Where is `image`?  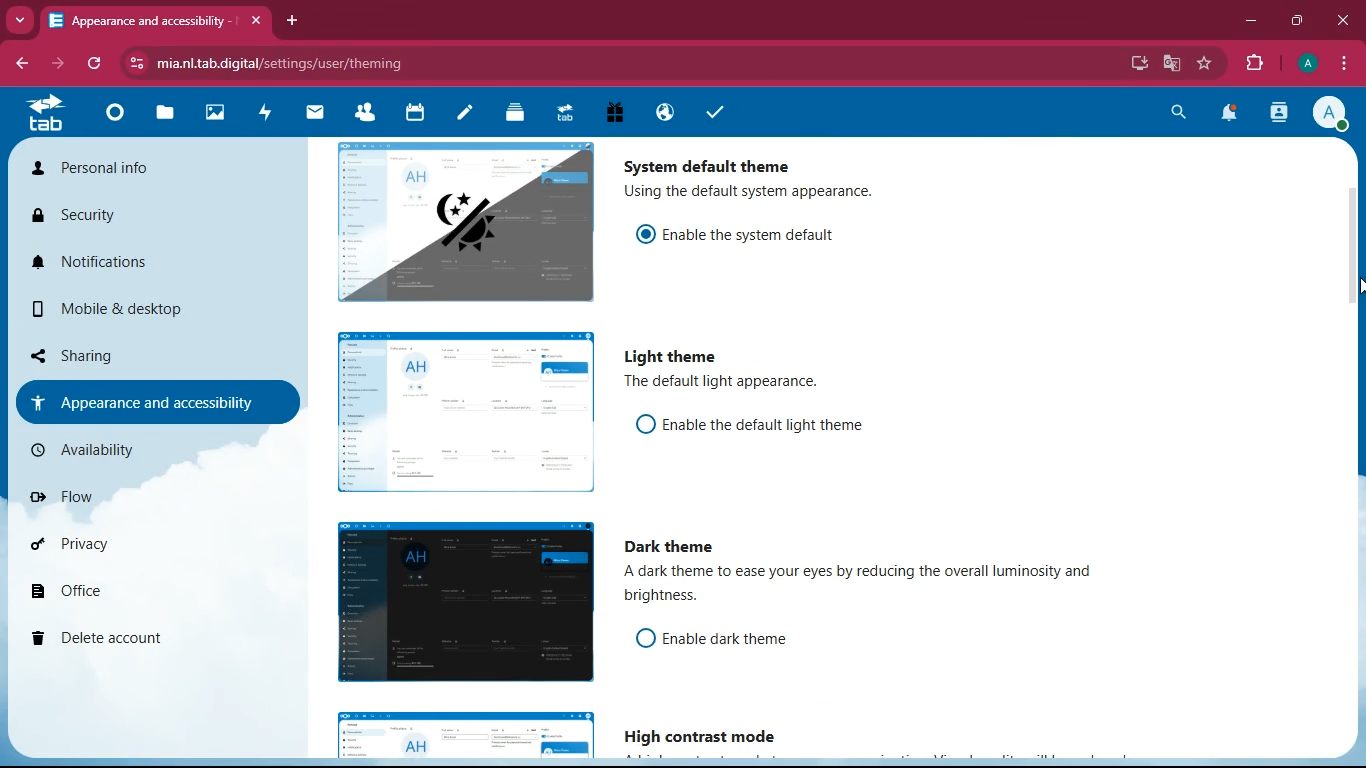
image is located at coordinates (217, 115).